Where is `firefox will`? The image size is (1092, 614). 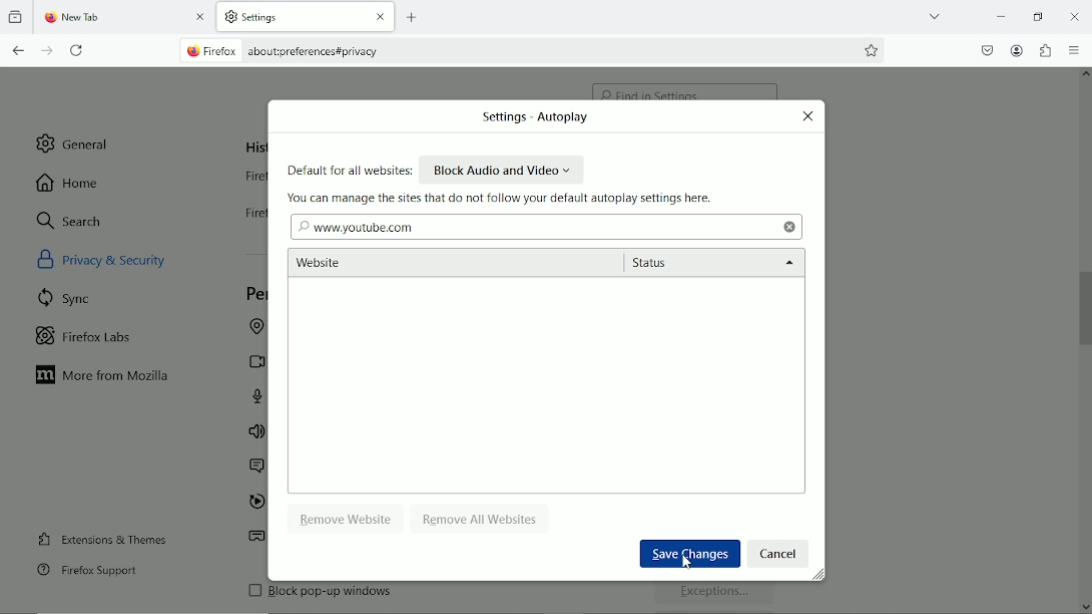
firefox will is located at coordinates (251, 179).